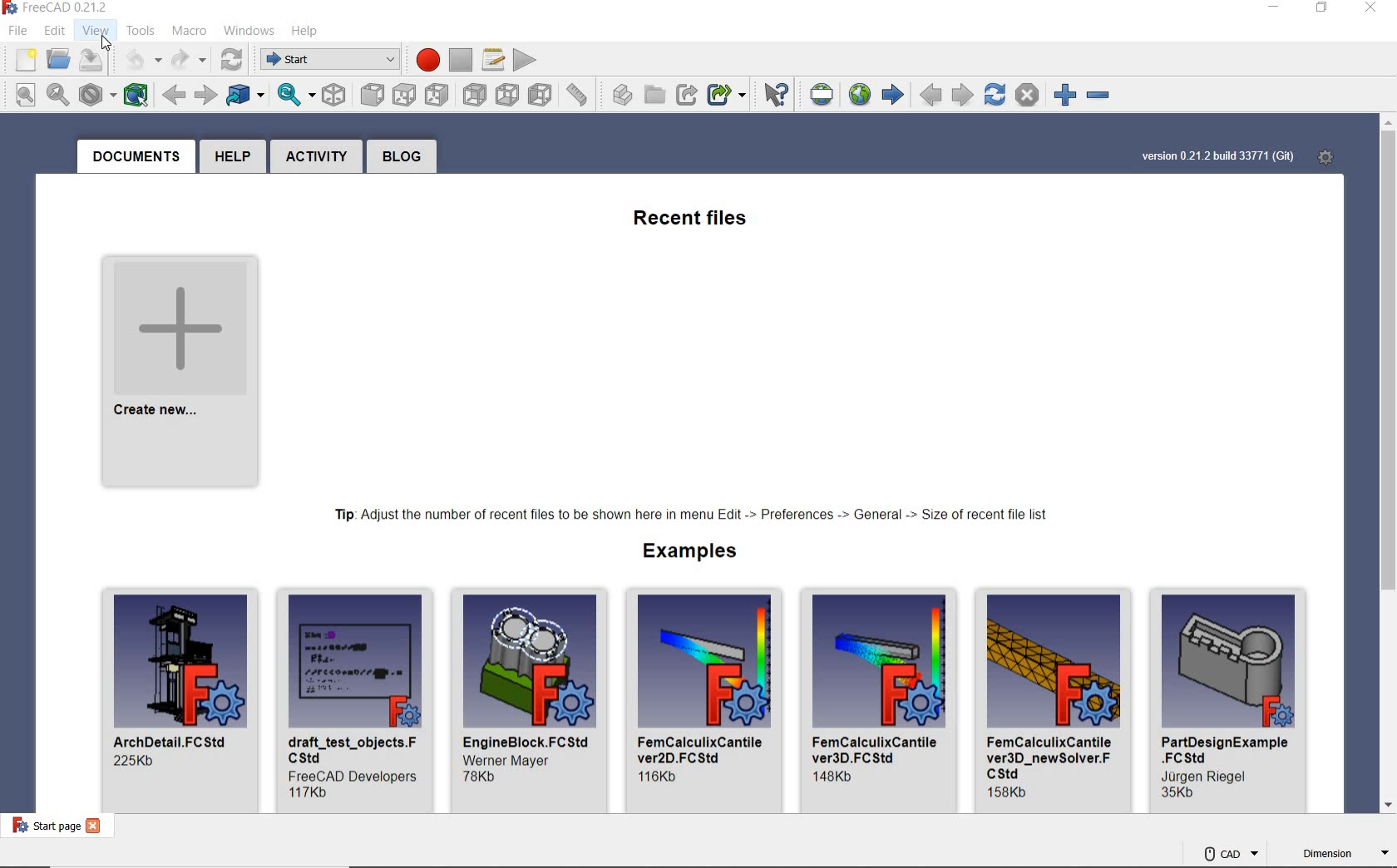 This screenshot has height=868, width=1397. What do you see at coordinates (94, 31) in the screenshot?
I see `view` at bounding box center [94, 31].